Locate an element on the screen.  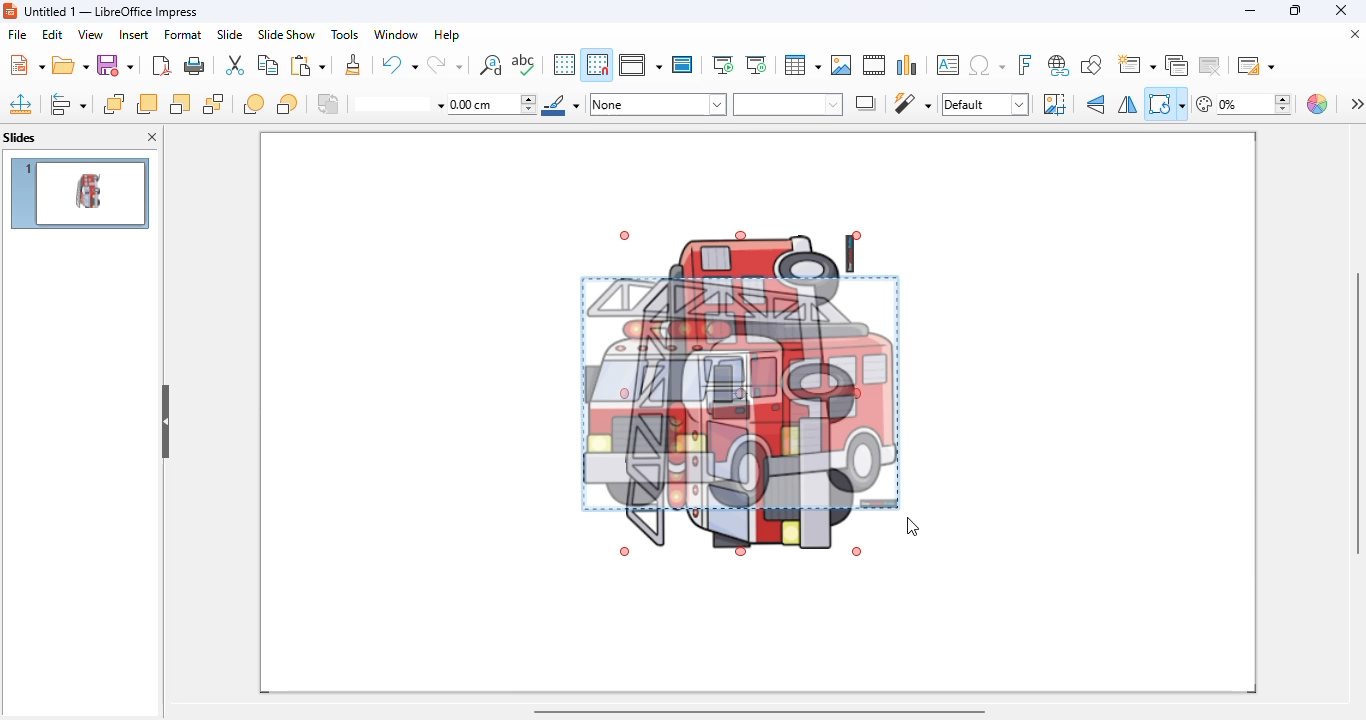
vertically is located at coordinates (1097, 104).